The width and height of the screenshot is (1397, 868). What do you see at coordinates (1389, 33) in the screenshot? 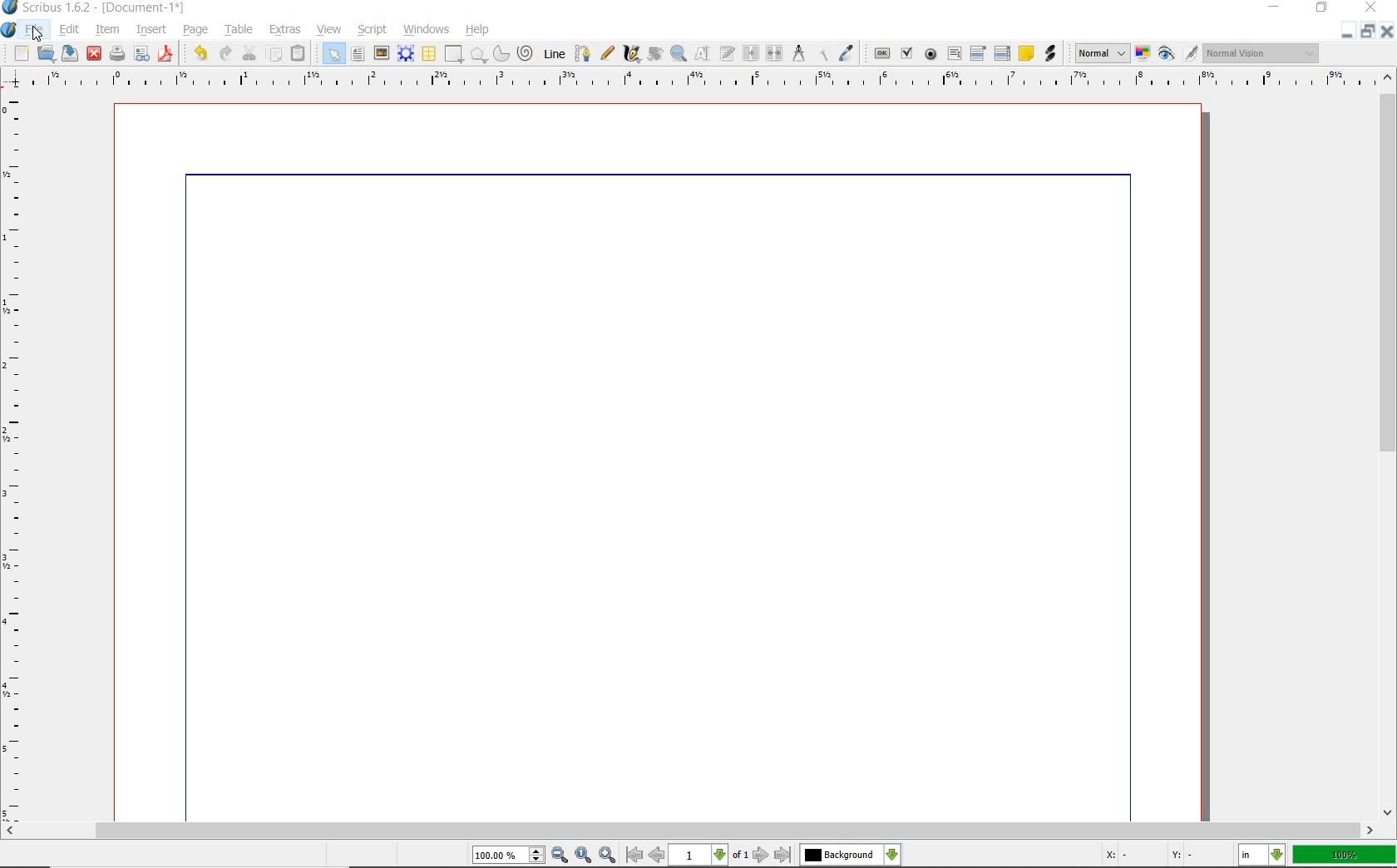
I see `minimize` at bounding box center [1389, 33].